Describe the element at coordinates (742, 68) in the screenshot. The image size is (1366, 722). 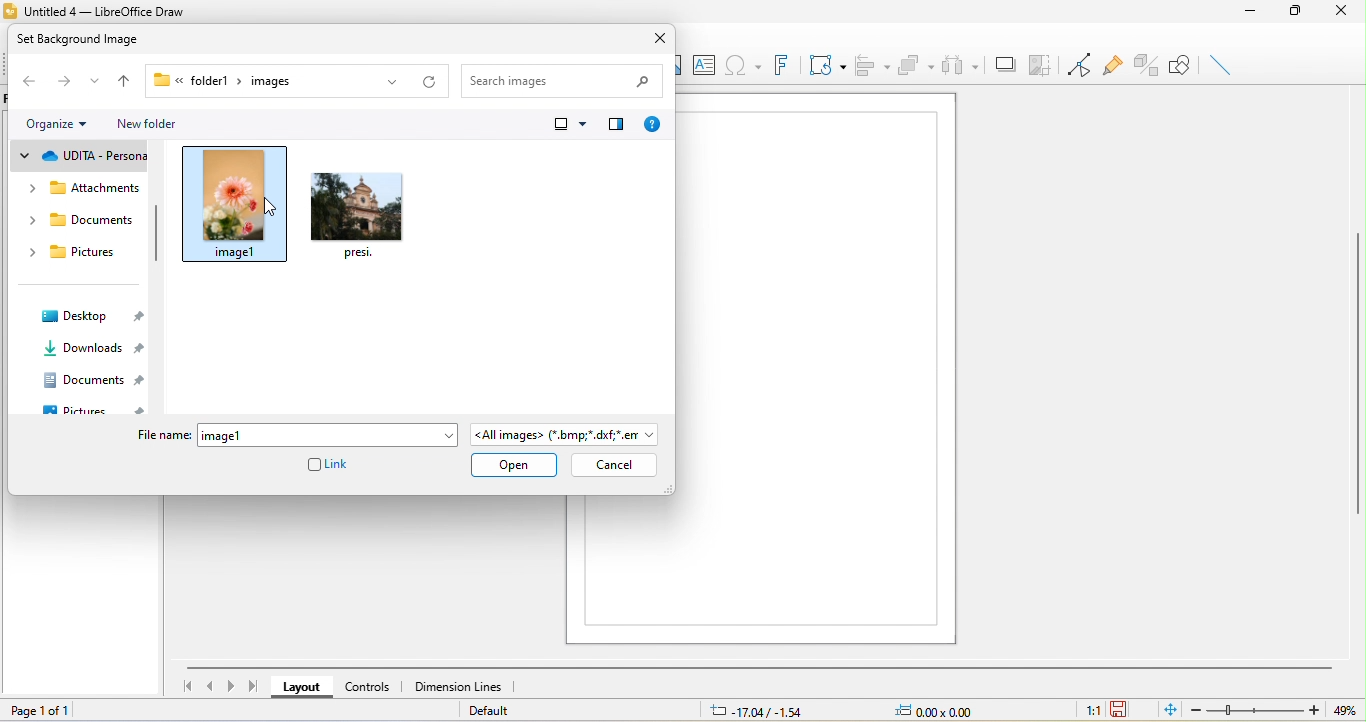
I see `special character` at that location.